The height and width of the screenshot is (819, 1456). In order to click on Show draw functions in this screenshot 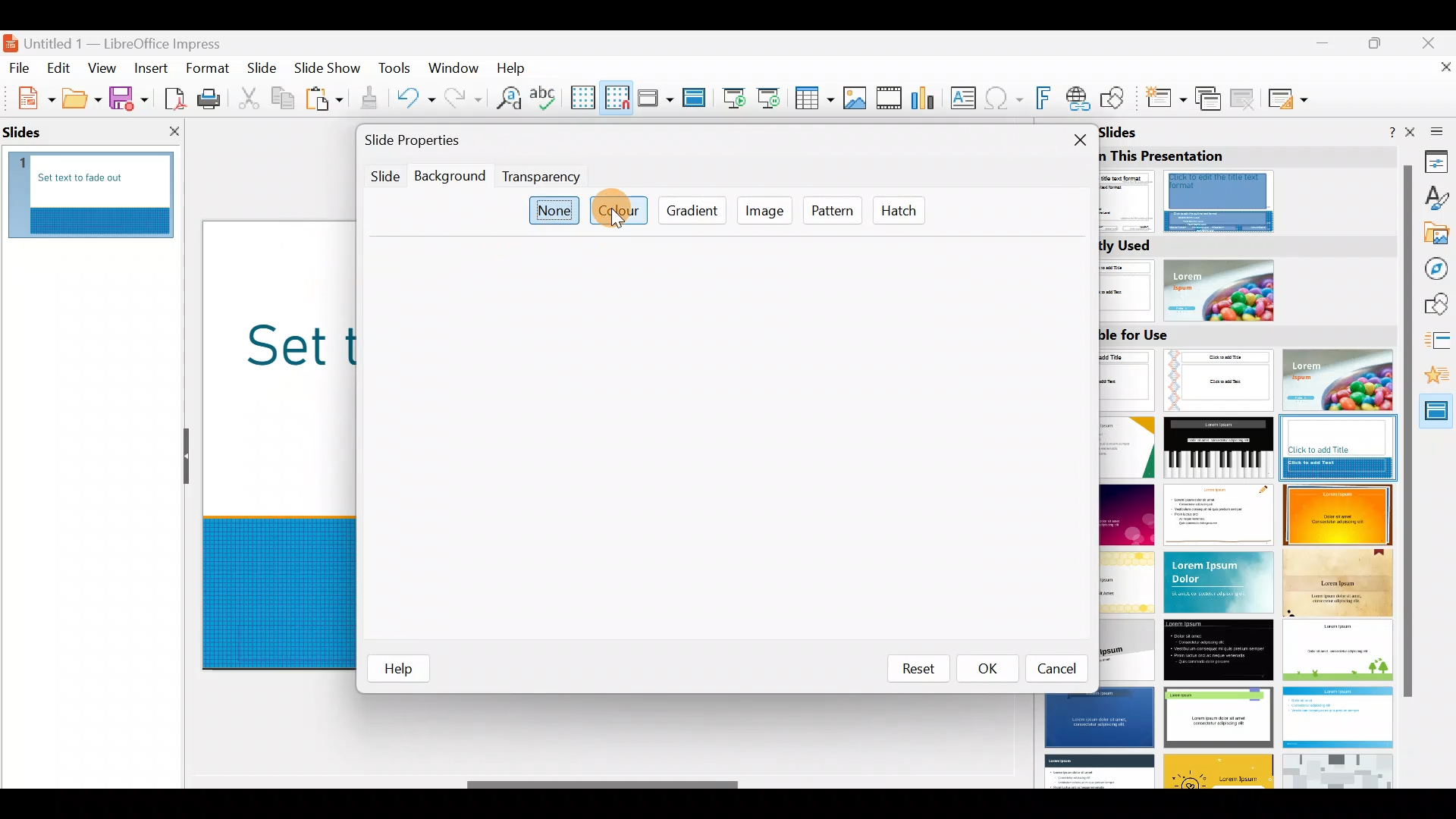, I will do `click(1116, 99)`.